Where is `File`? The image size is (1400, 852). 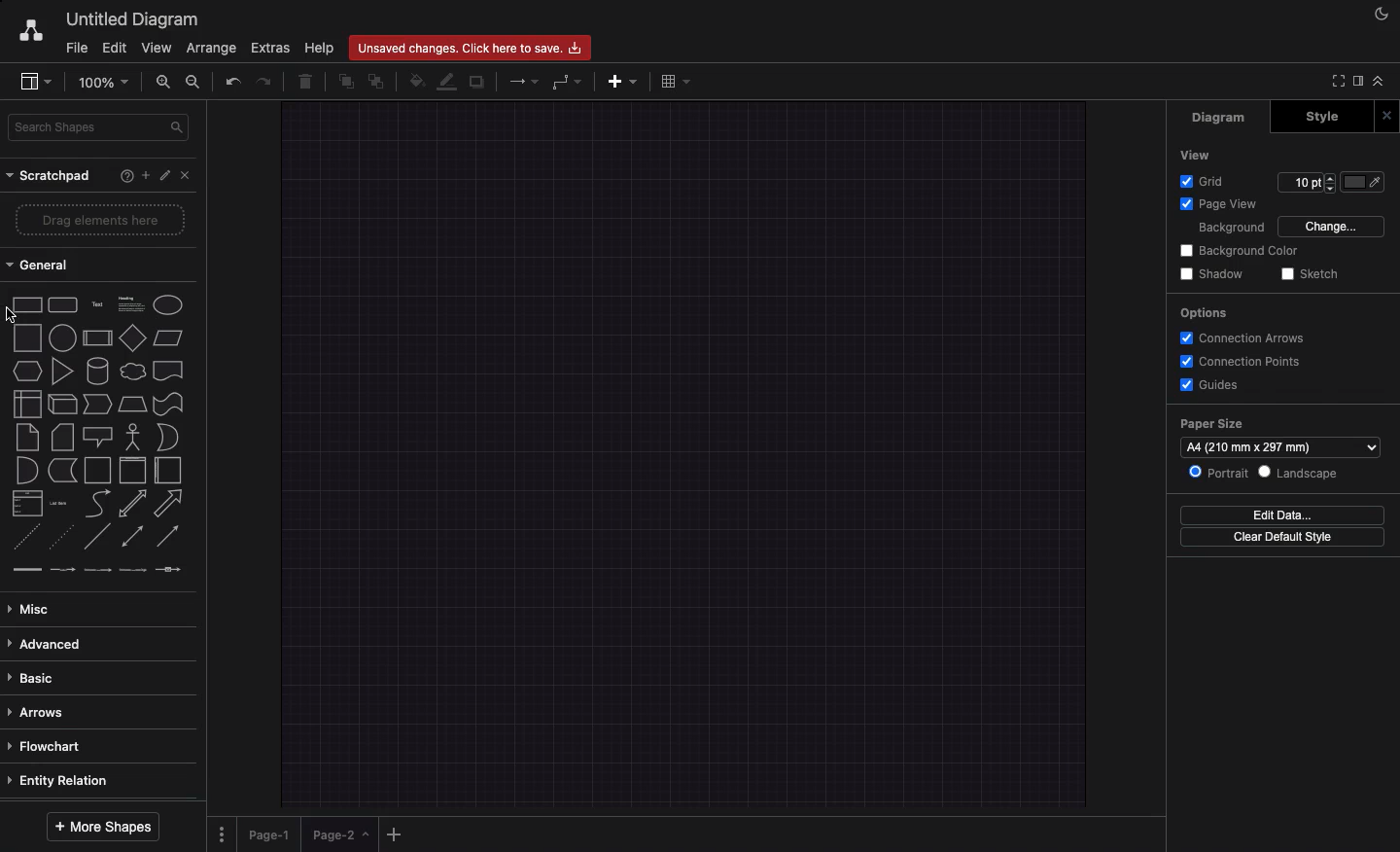 File is located at coordinates (77, 46).